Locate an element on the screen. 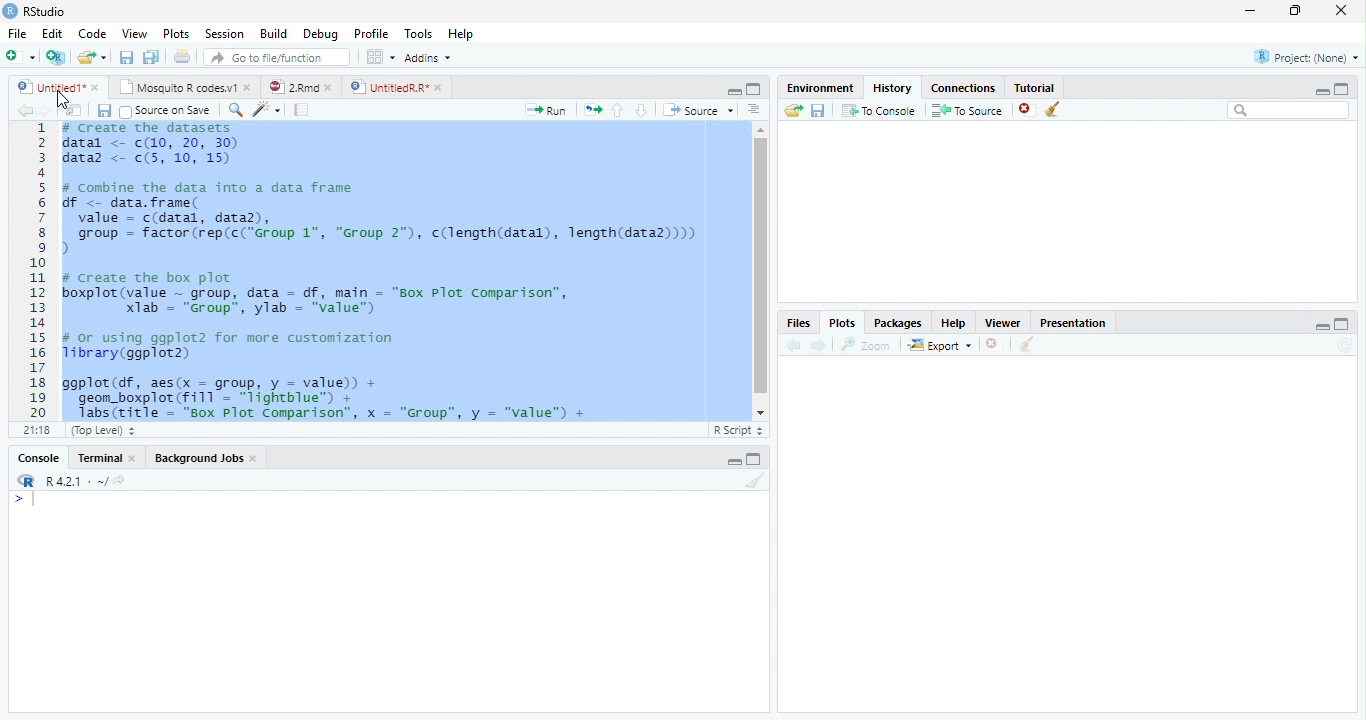 The width and height of the screenshot is (1366, 720). New line is located at coordinates (24, 500).